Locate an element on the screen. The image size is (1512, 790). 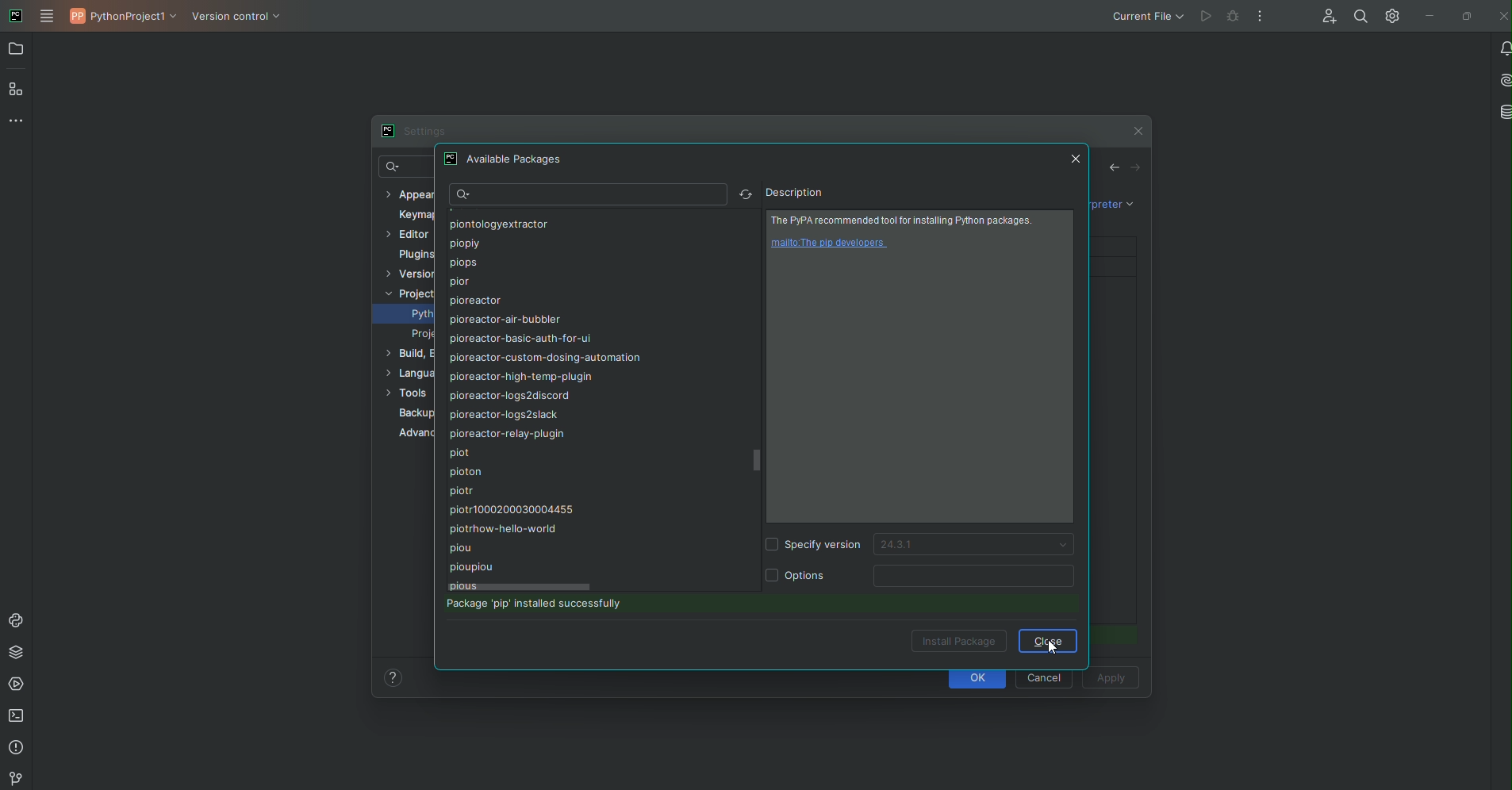
Pip developers is located at coordinates (833, 244).